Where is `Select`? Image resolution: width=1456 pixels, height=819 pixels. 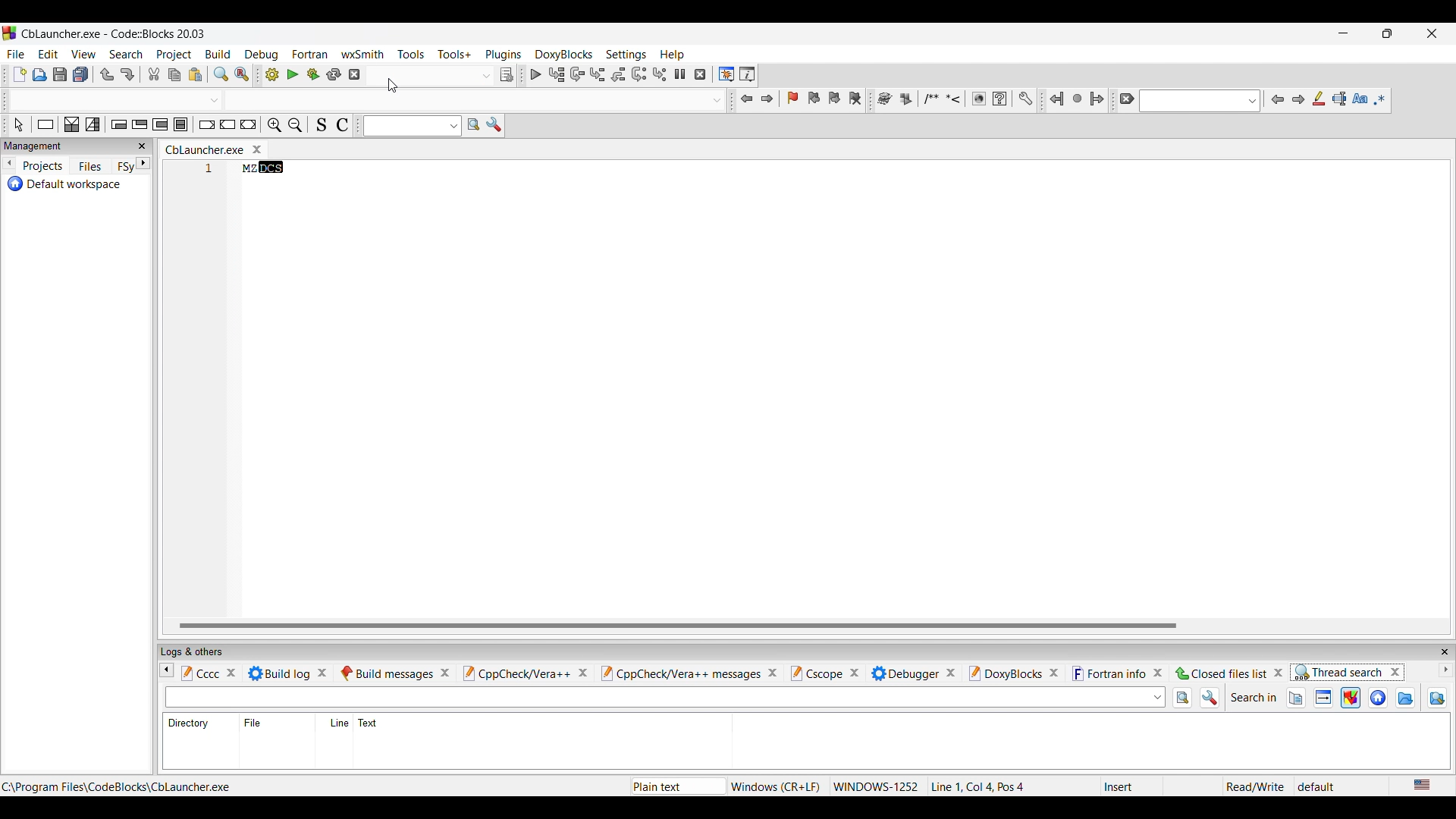 Select is located at coordinates (18, 124).